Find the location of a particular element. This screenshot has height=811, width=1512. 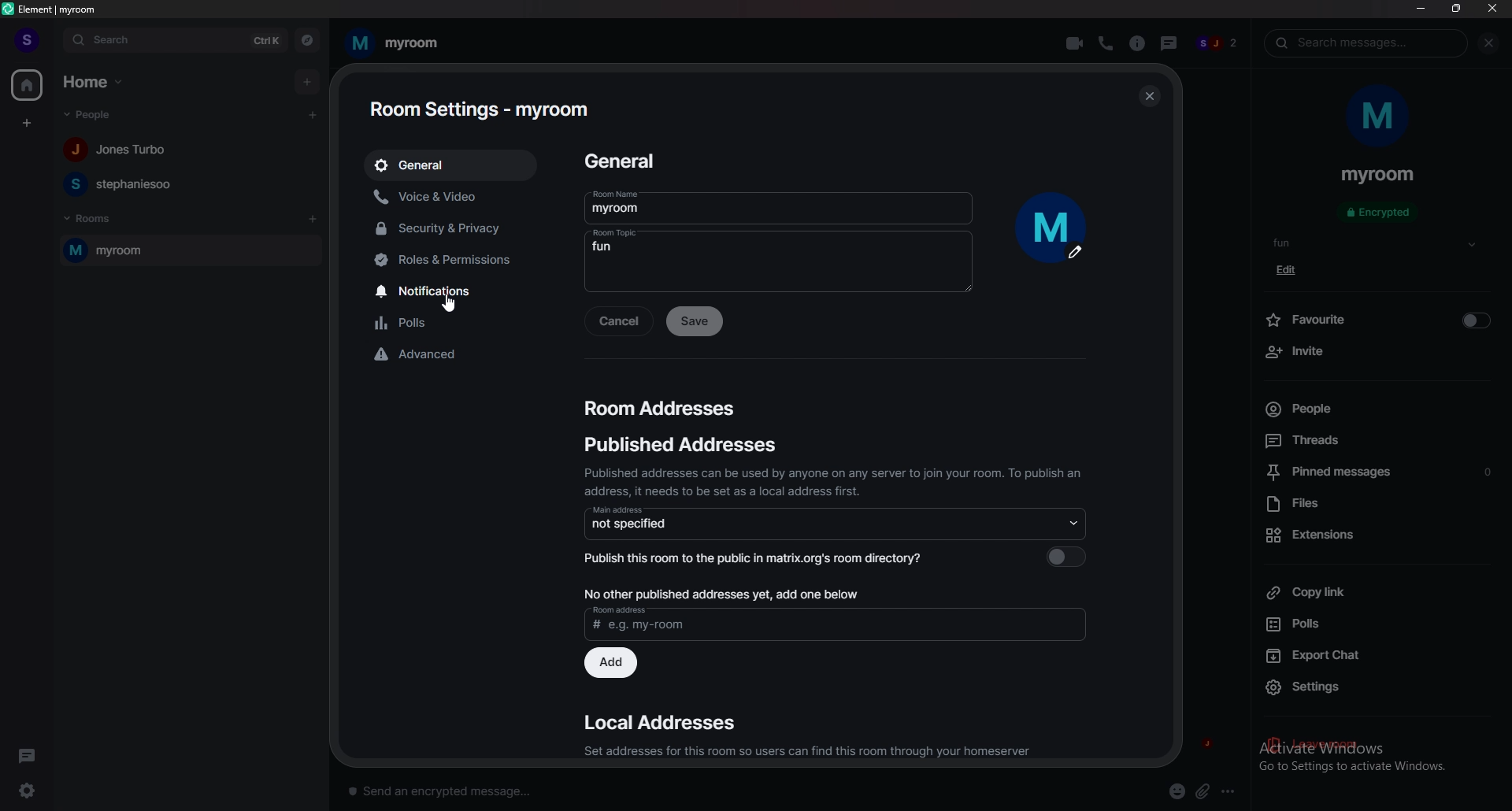

room type is located at coordinates (776, 260).